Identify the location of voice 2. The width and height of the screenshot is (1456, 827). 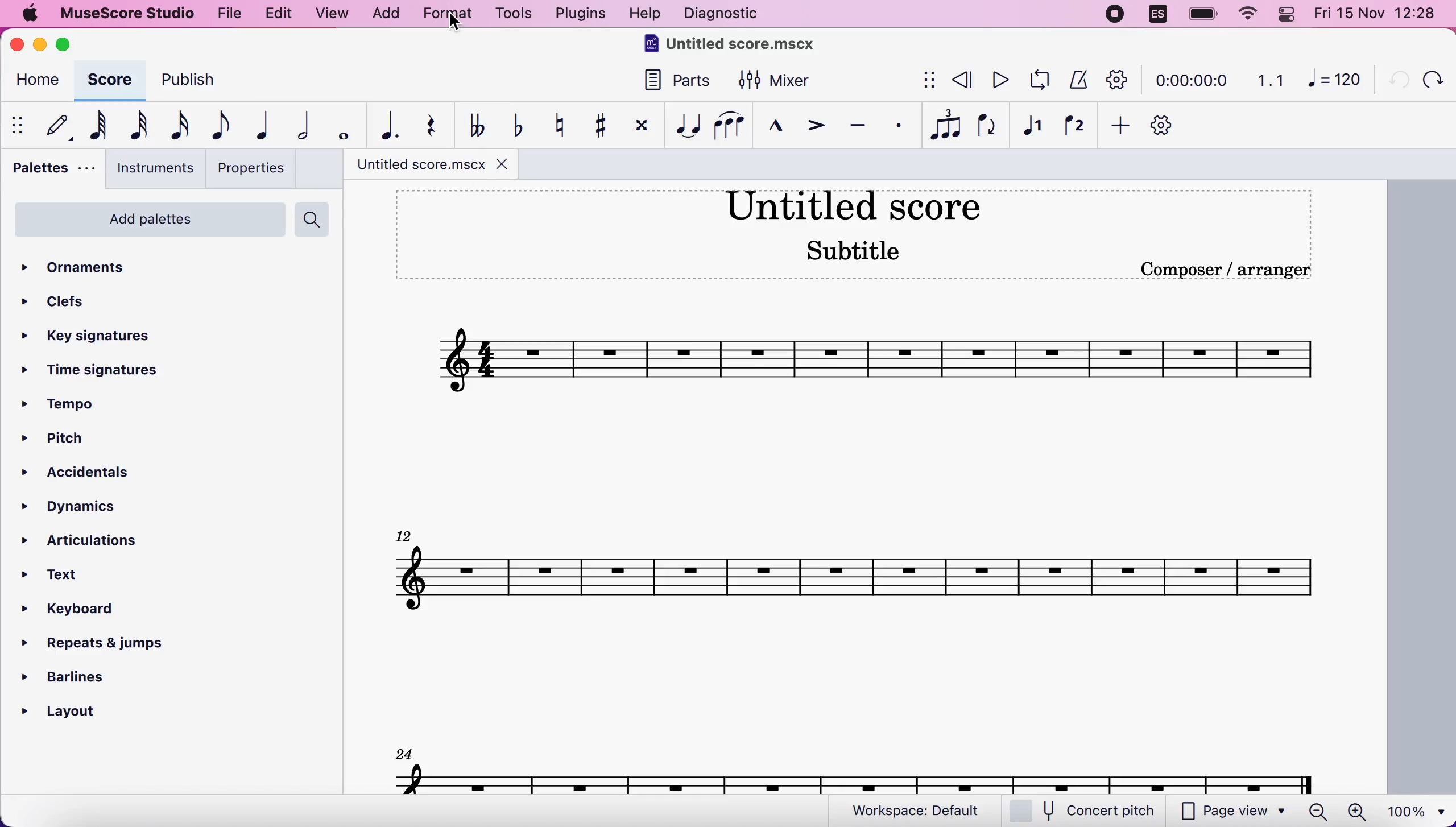
(1076, 127).